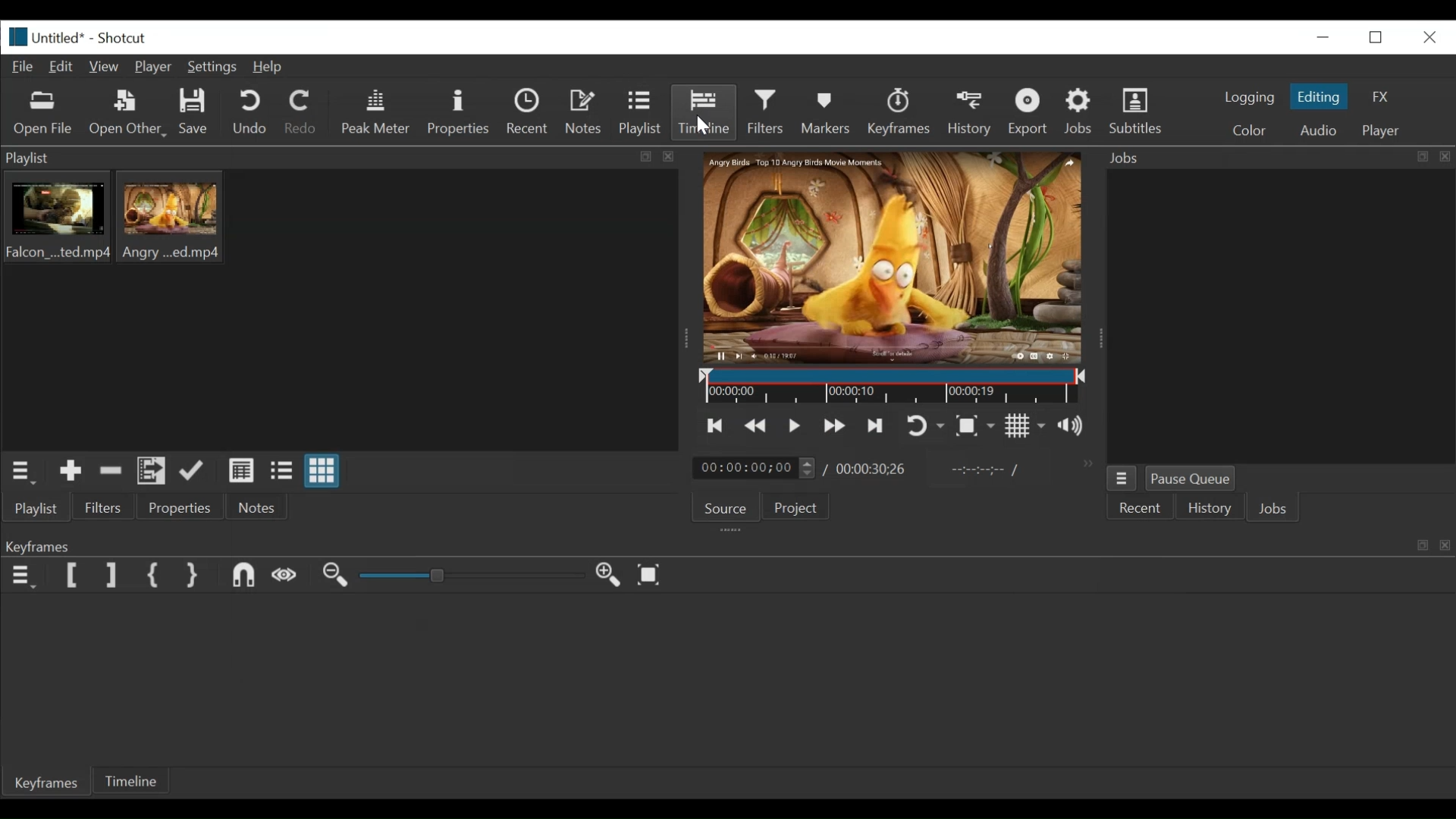 The height and width of the screenshot is (819, 1456). Describe the element at coordinates (728, 545) in the screenshot. I see `keyframe panel` at that location.